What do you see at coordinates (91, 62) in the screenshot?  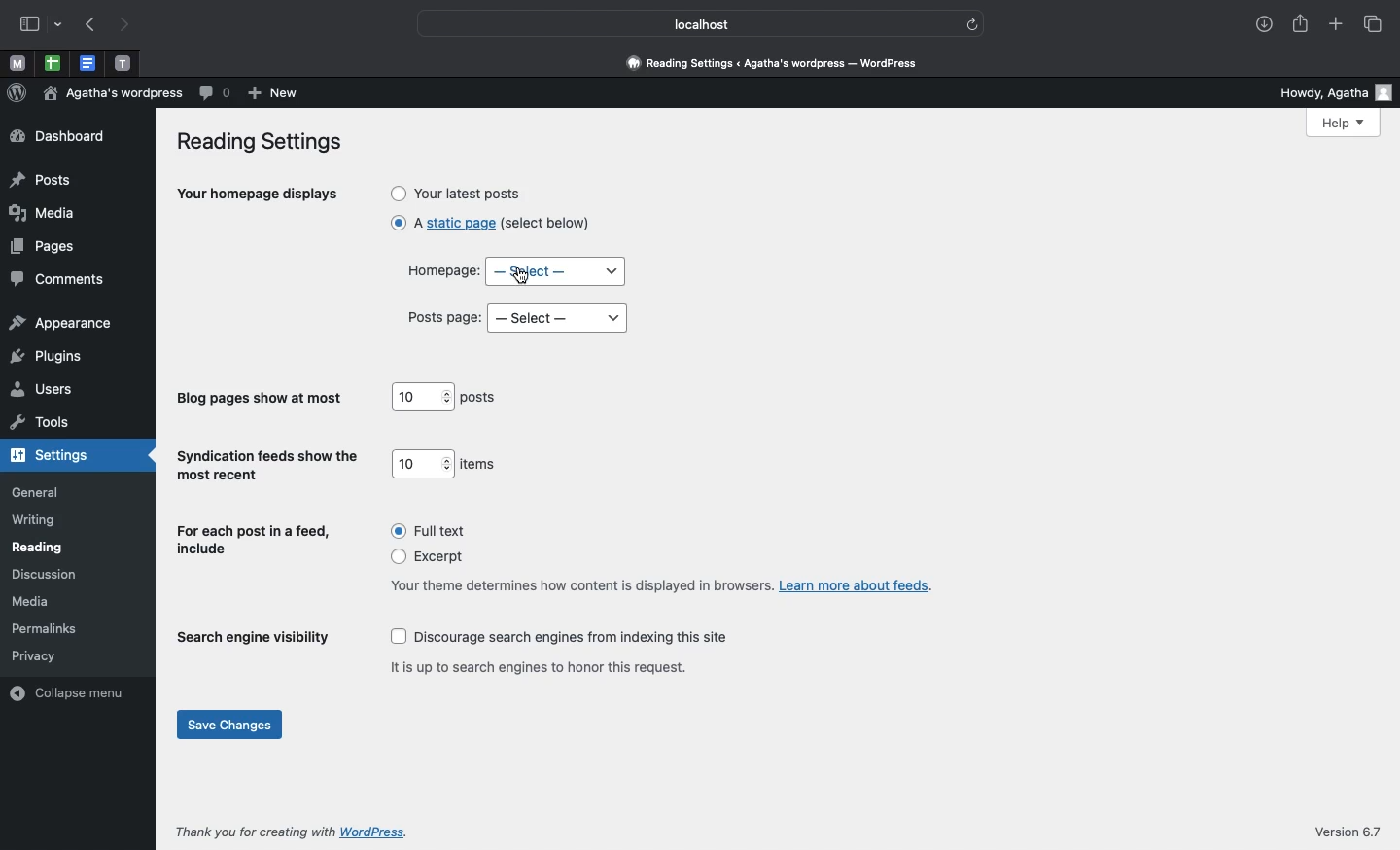 I see `Pinned tabs` at bounding box center [91, 62].